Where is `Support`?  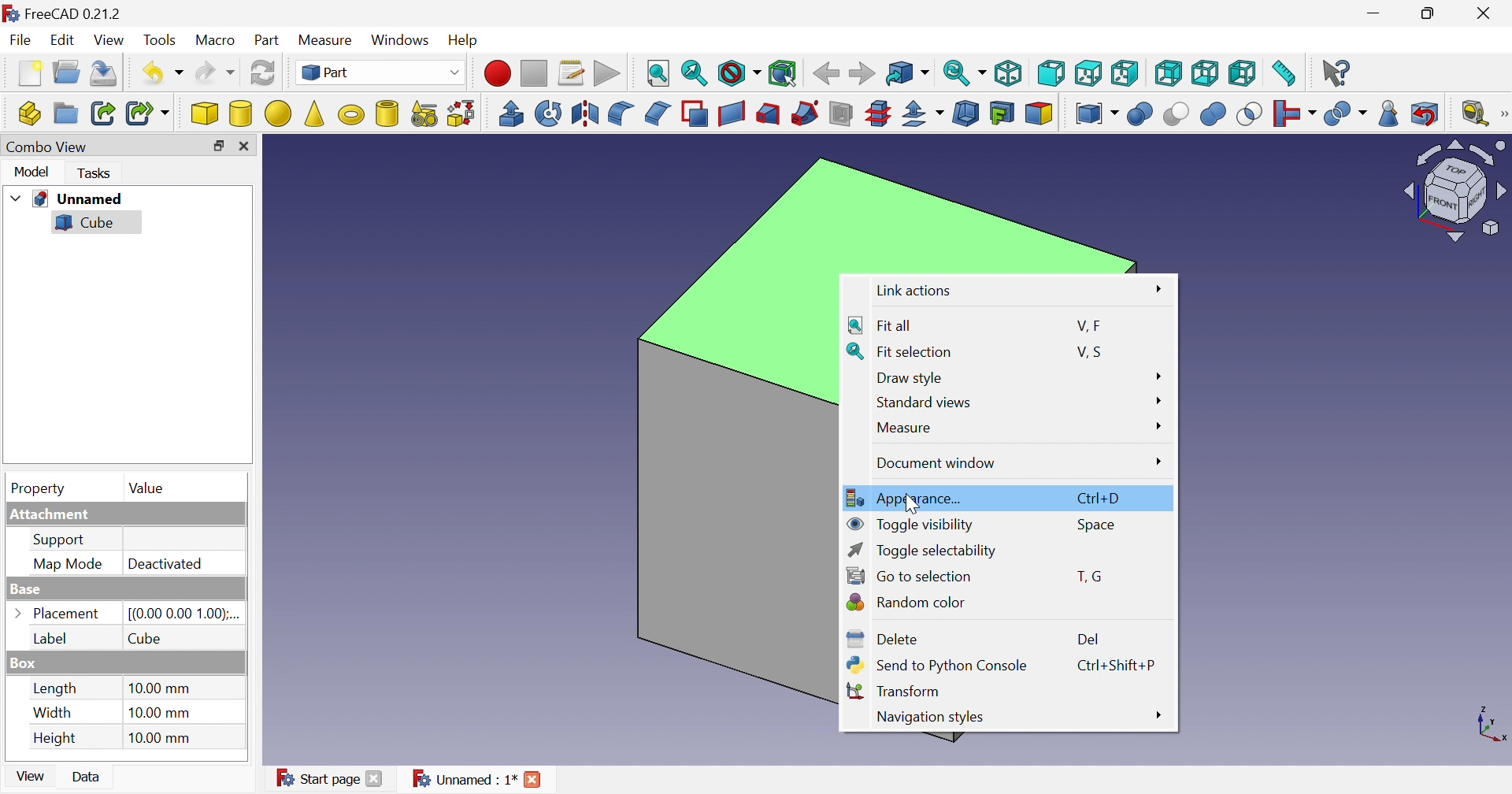 Support is located at coordinates (65, 540).